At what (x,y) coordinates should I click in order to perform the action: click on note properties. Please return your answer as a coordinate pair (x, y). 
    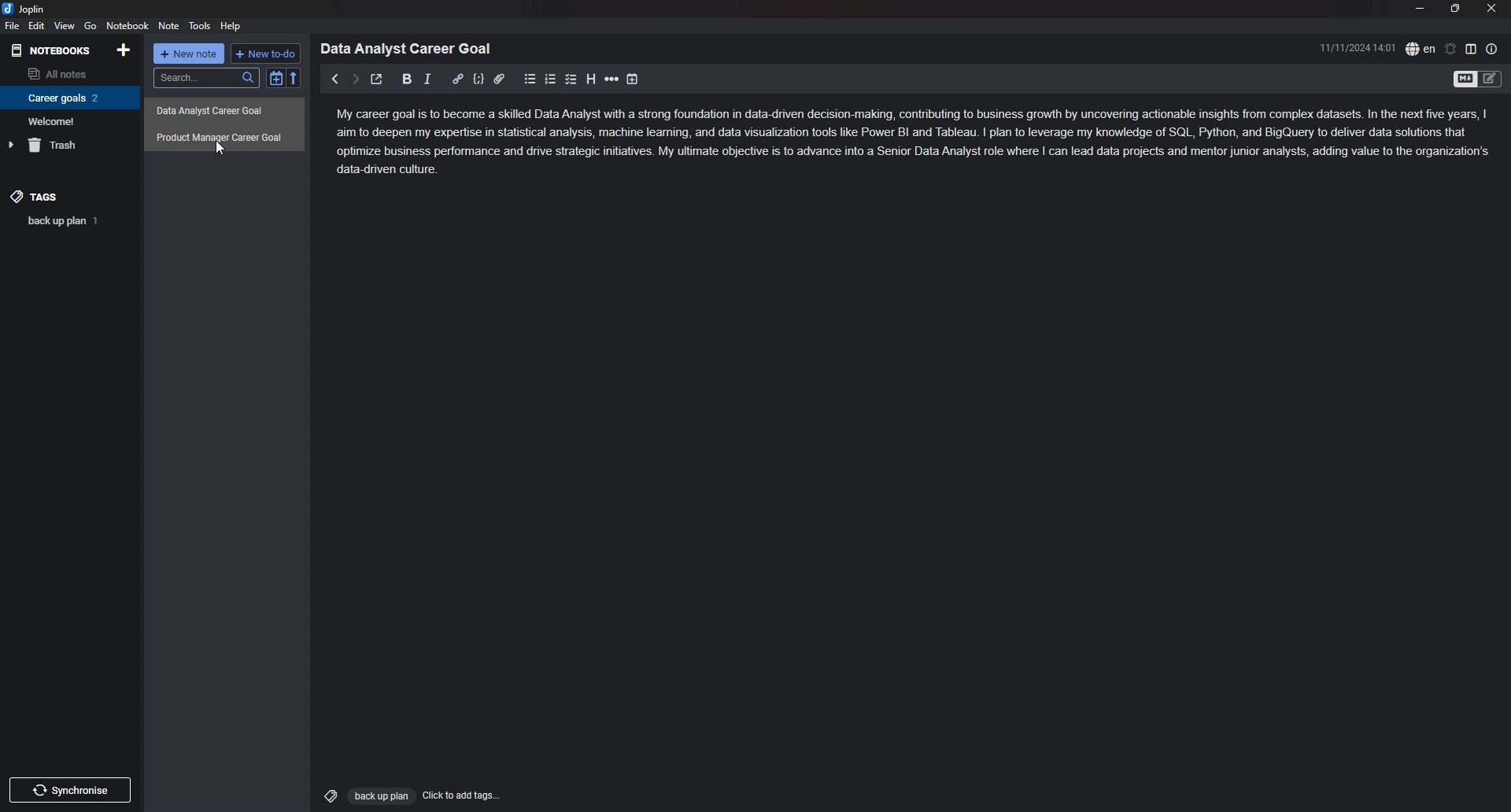
    Looking at the image, I should click on (1492, 49).